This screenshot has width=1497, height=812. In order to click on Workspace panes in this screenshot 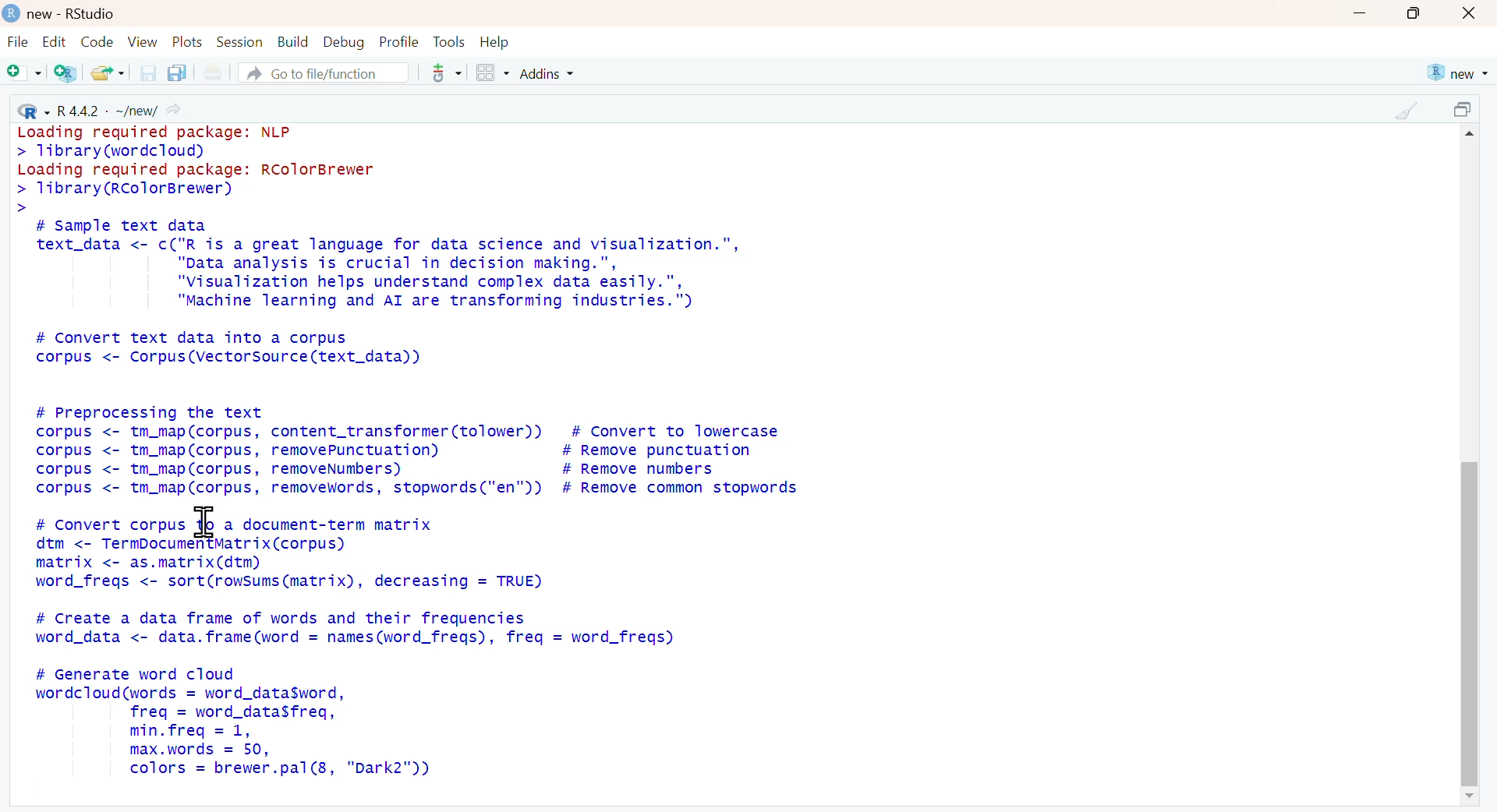, I will do `click(491, 73)`.